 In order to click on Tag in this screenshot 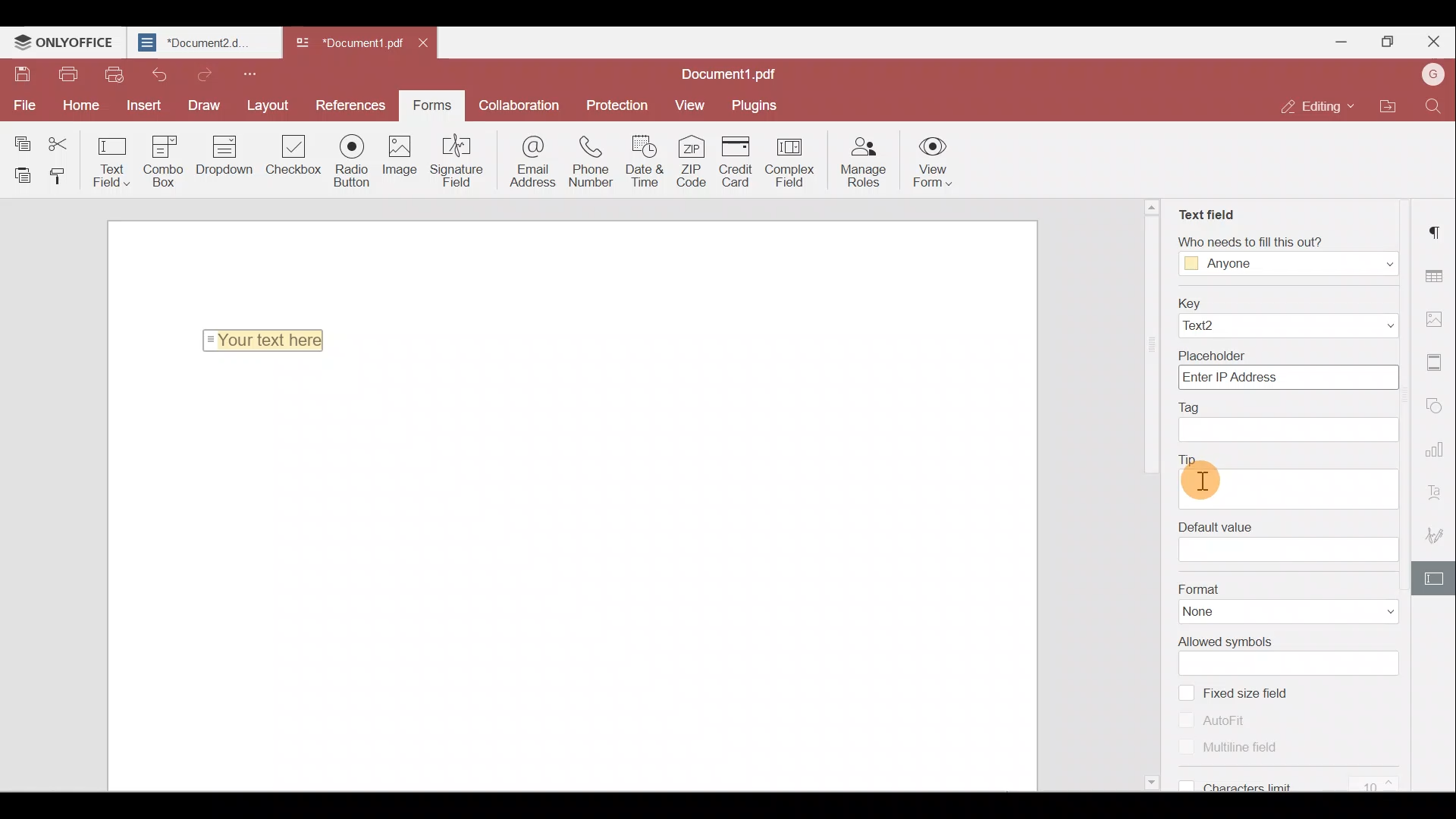, I will do `click(1207, 405)`.